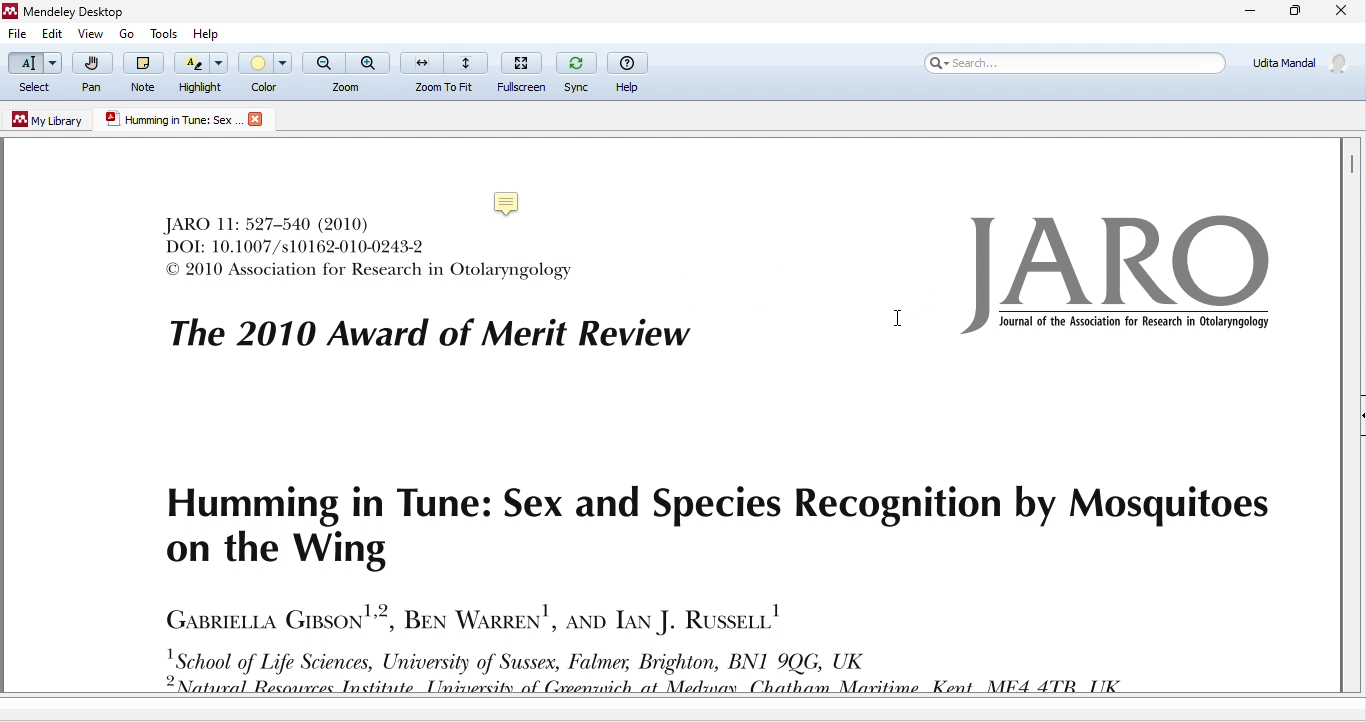 The width and height of the screenshot is (1366, 722). What do you see at coordinates (701, 573) in the screenshot?
I see `journal text` at bounding box center [701, 573].